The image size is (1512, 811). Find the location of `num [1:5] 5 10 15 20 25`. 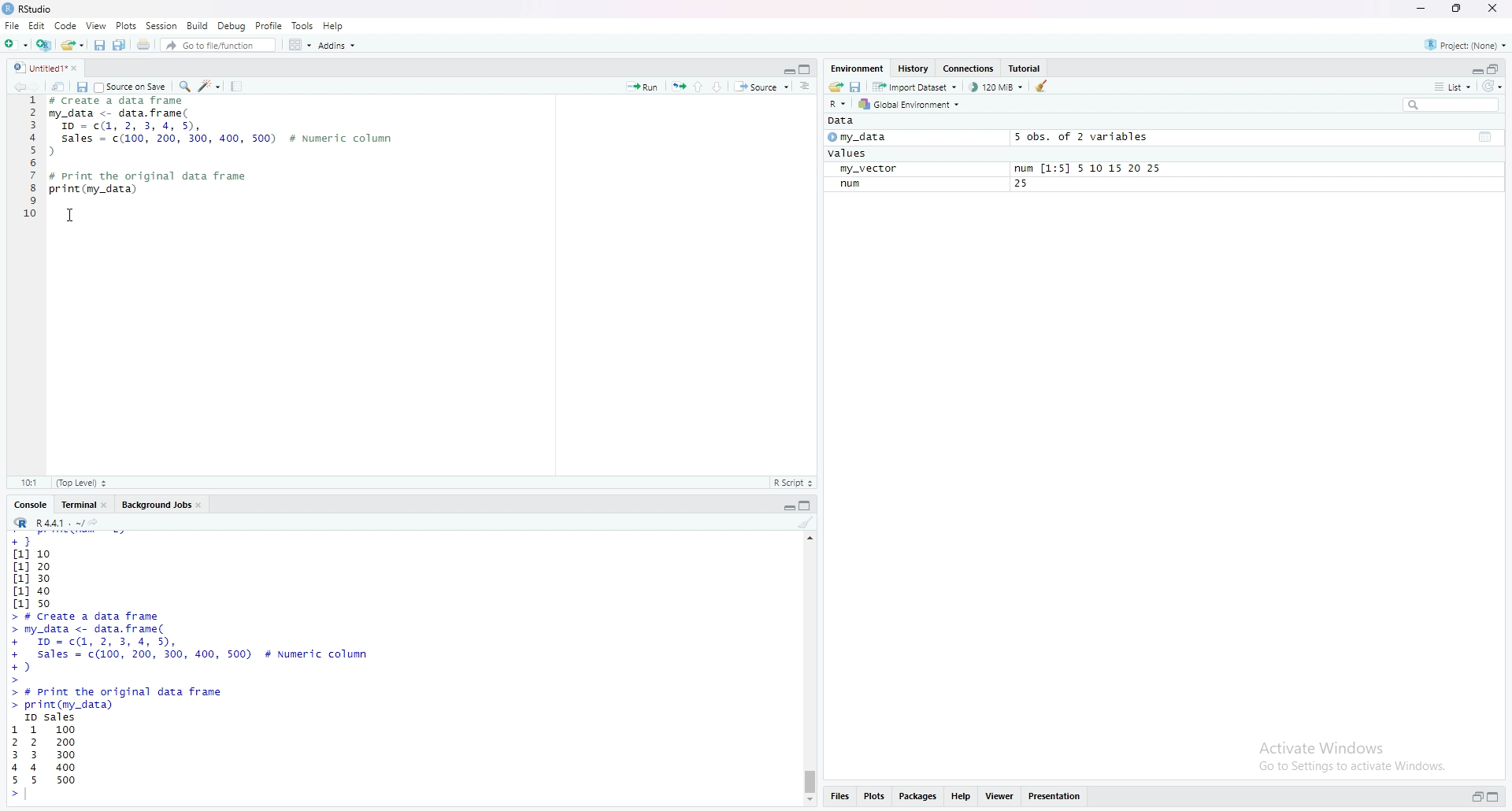

num [1:5] 5 10 15 20 25 is located at coordinates (1085, 168).